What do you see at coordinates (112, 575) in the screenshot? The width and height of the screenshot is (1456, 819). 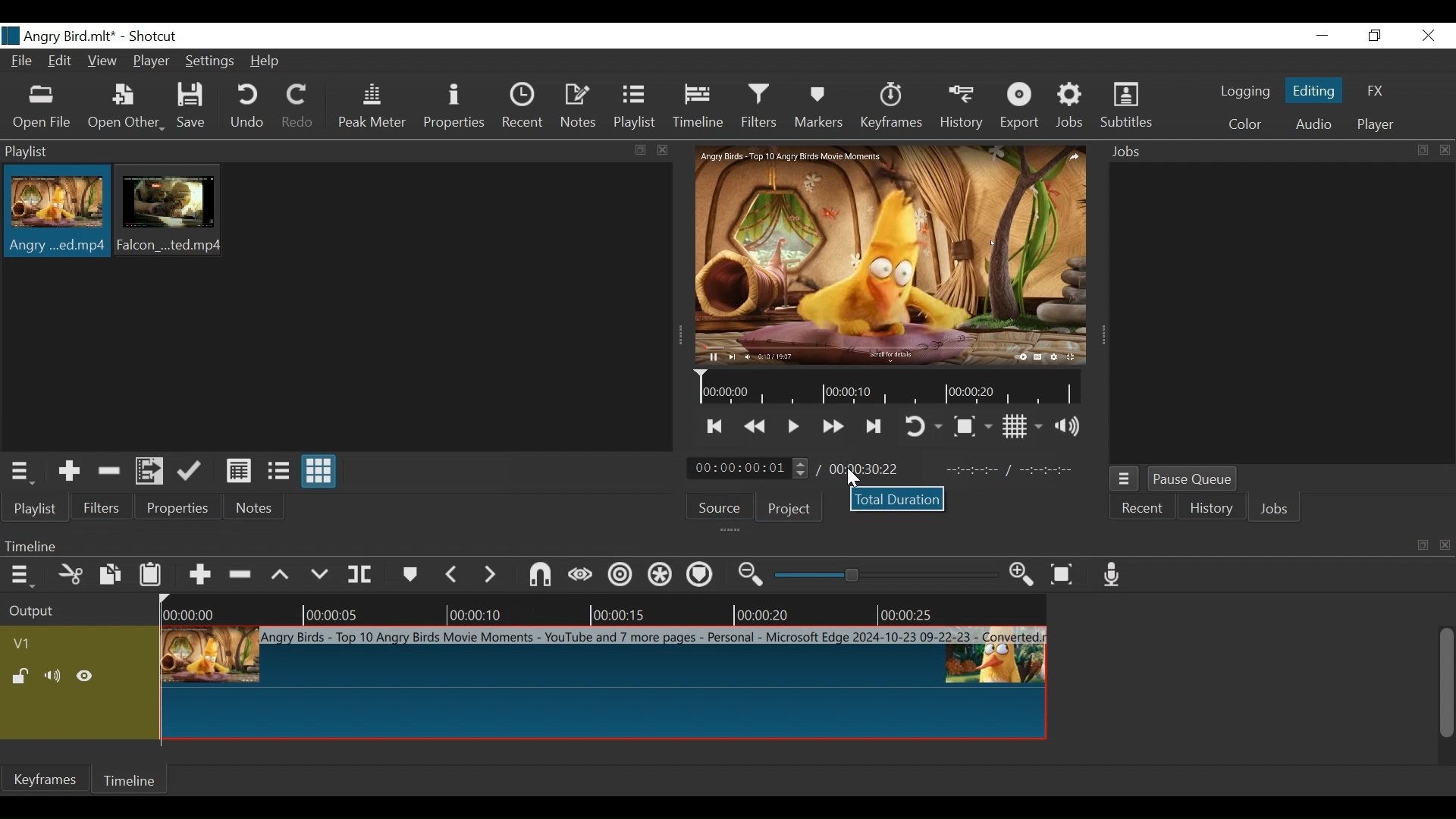 I see `Copy` at bounding box center [112, 575].